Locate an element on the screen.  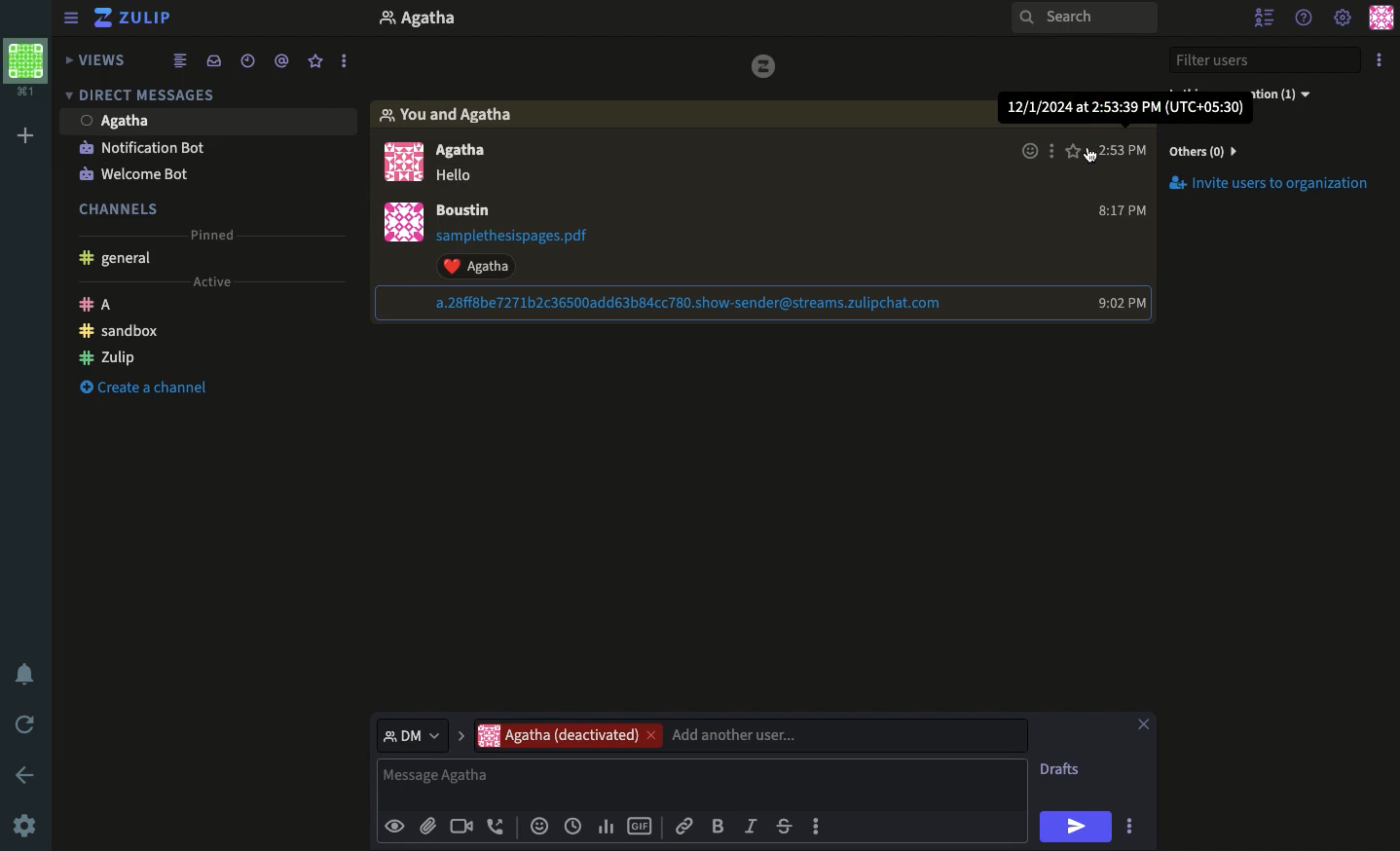
DM is located at coordinates (421, 735).